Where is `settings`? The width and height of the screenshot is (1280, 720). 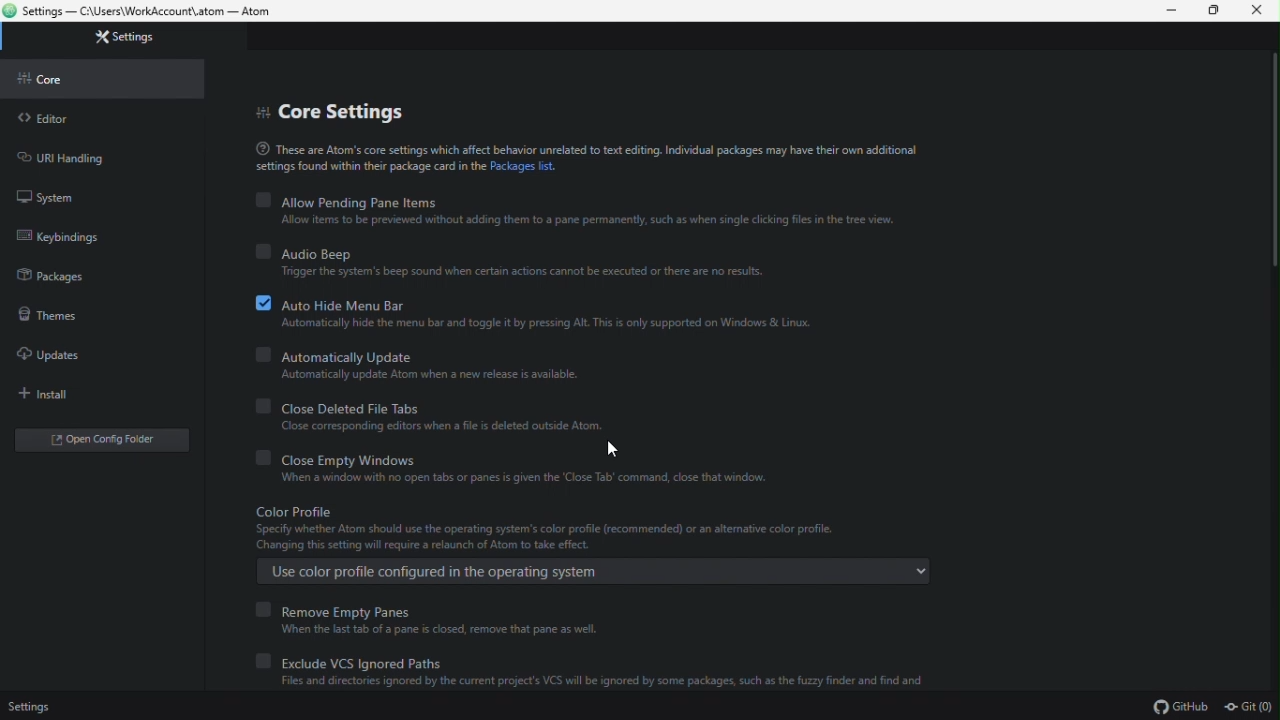
settings is located at coordinates (31, 708).